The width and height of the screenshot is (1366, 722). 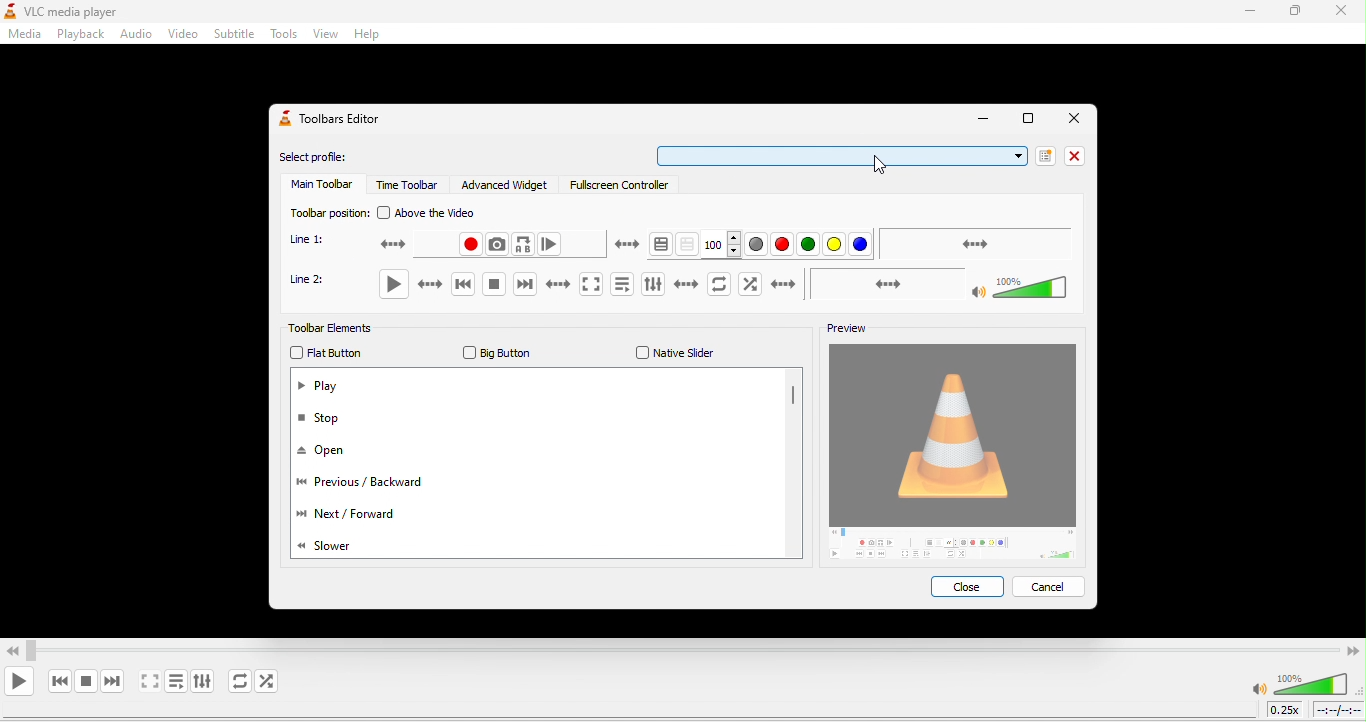 I want to click on previous/backward, so click(x=376, y=487).